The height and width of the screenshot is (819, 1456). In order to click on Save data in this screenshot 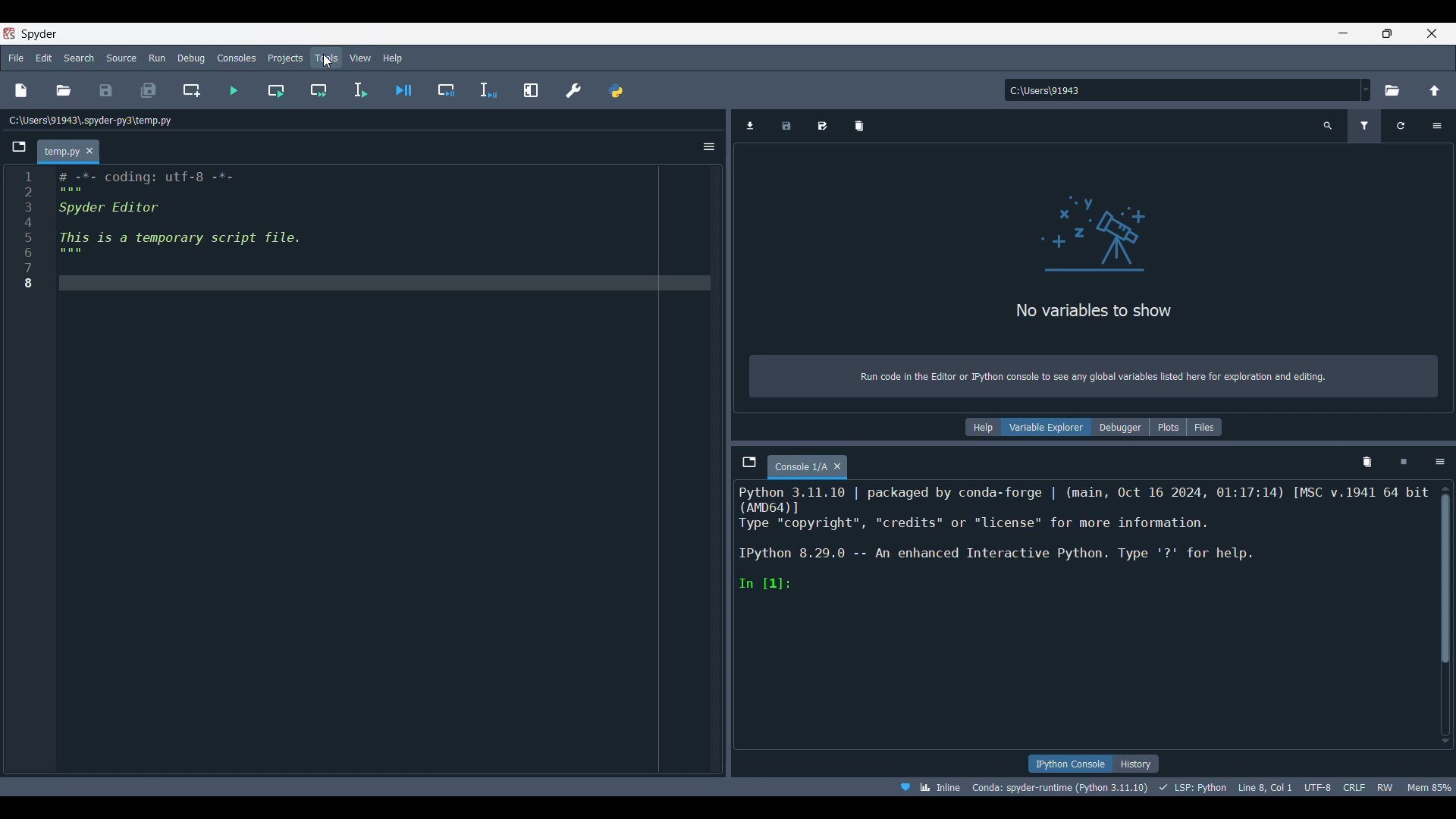, I will do `click(786, 127)`.